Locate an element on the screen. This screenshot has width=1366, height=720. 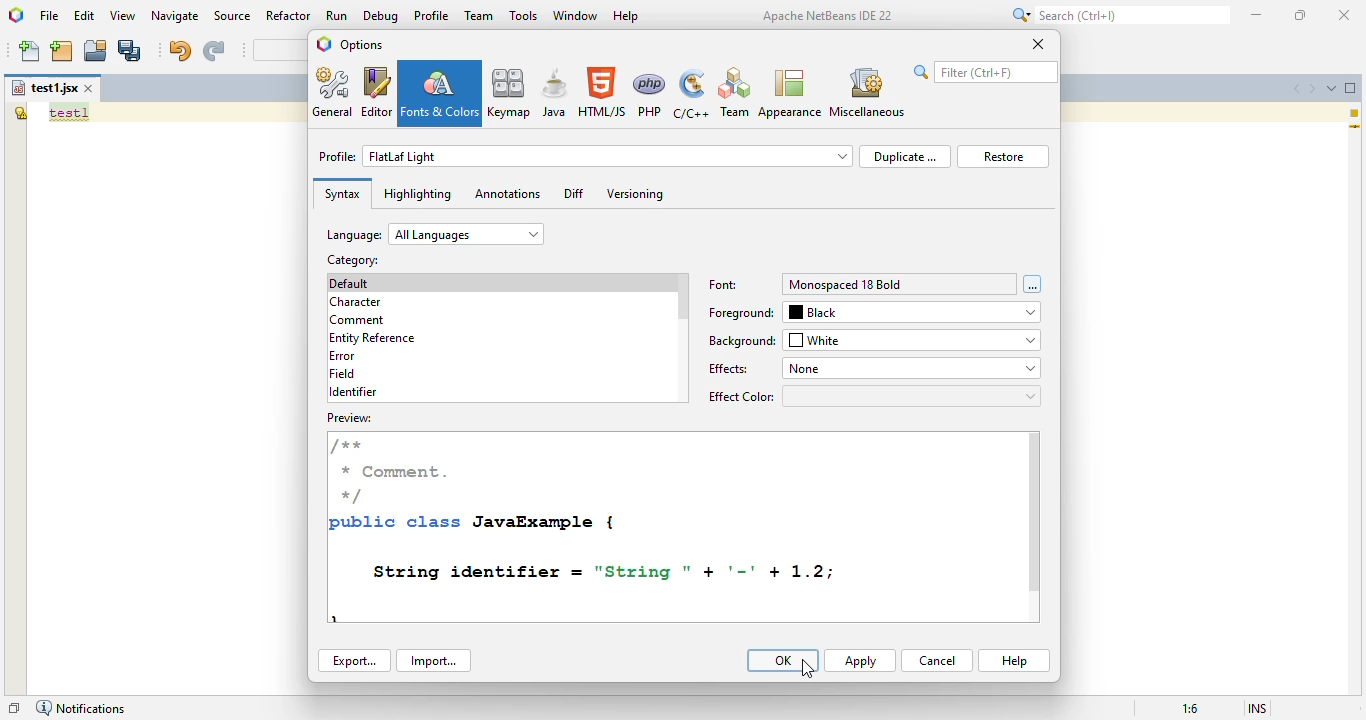
entity reference is located at coordinates (377, 337).